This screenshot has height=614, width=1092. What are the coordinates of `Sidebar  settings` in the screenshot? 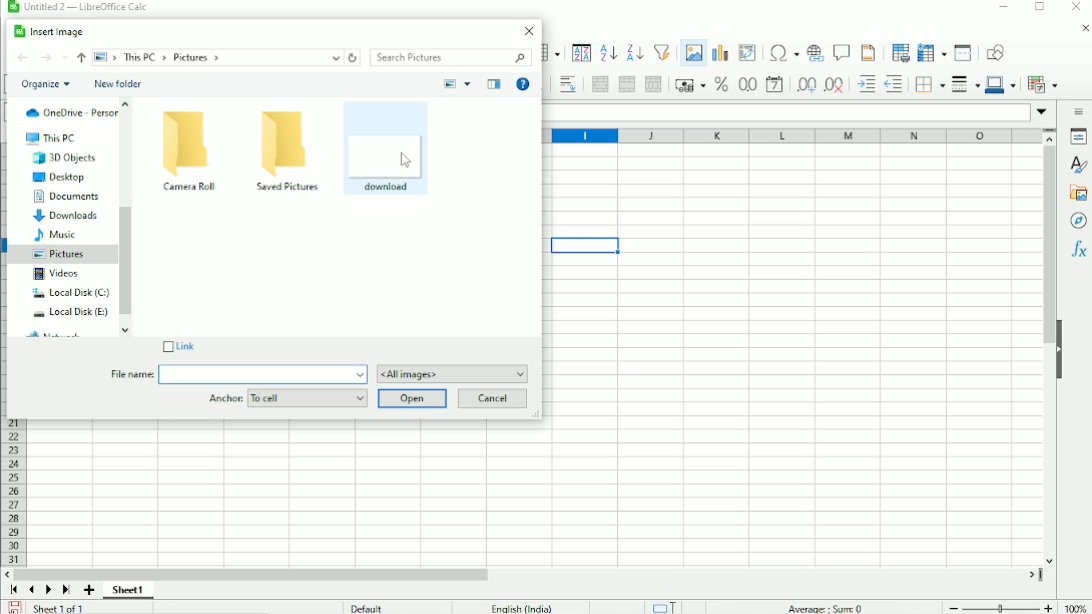 It's located at (1078, 113).